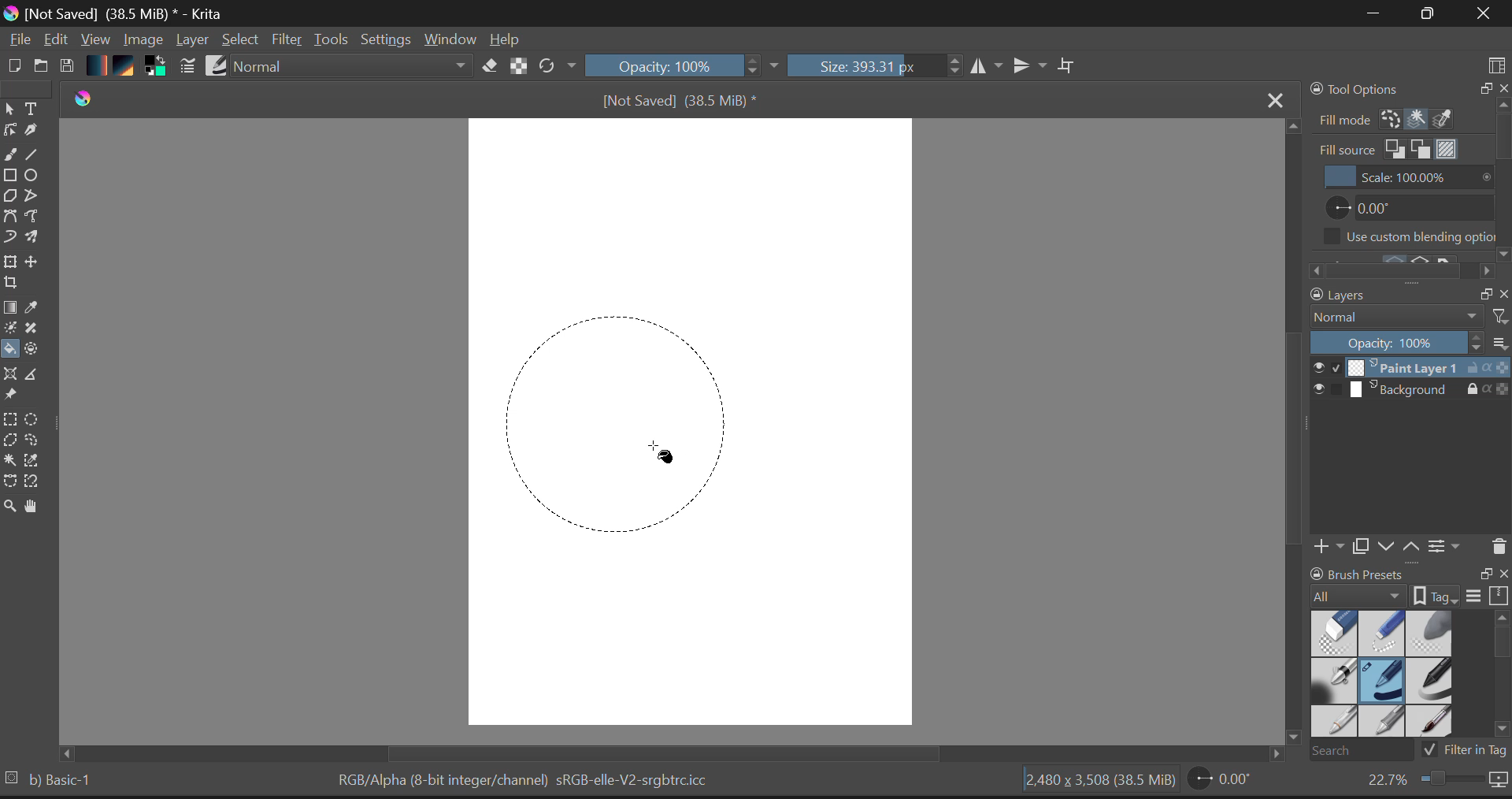 The image size is (1512, 799). Describe the element at coordinates (10, 481) in the screenshot. I see `Bezier Curve` at that location.